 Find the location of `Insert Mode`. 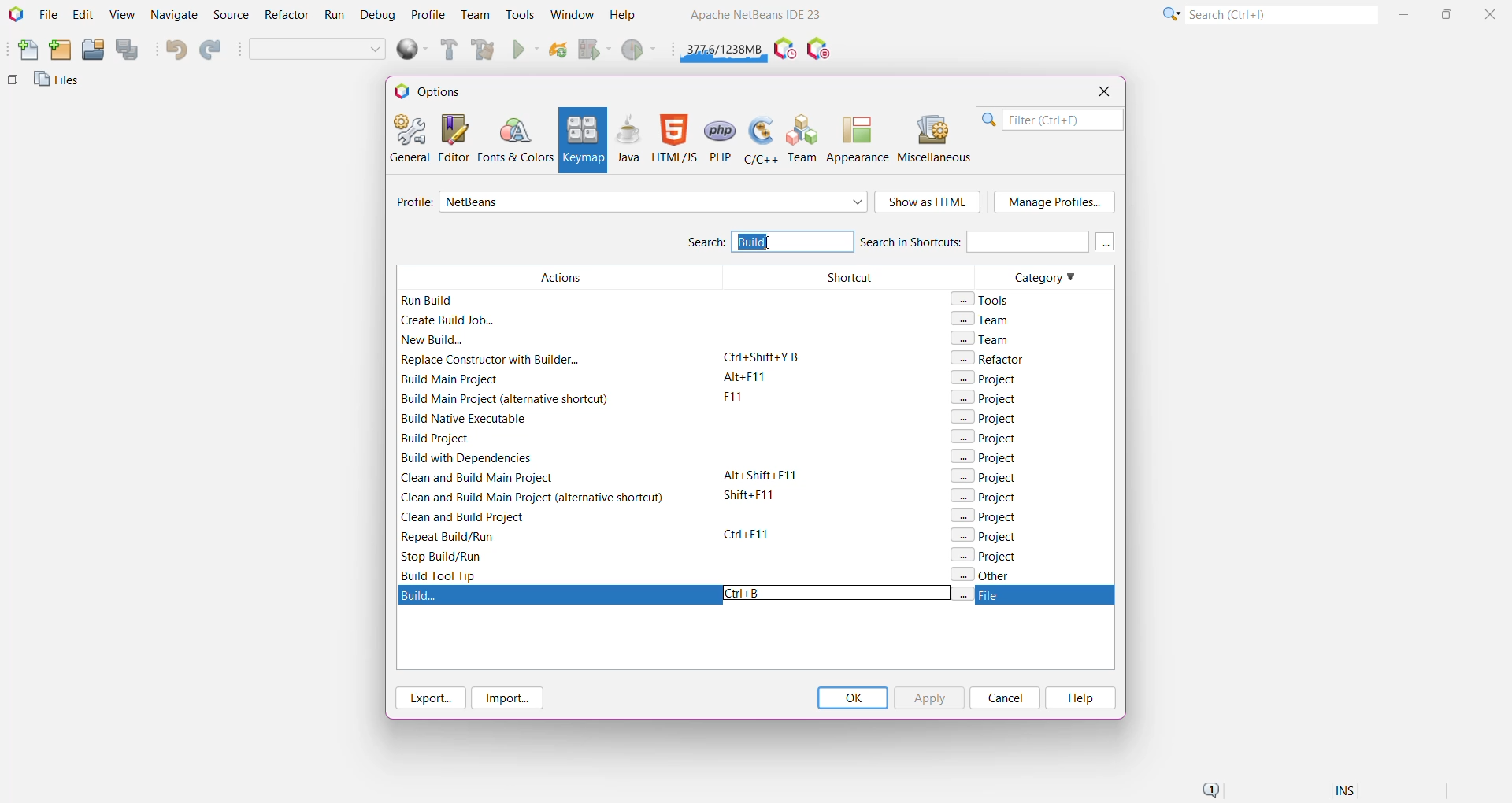

Insert Mode is located at coordinates (1347, 793).